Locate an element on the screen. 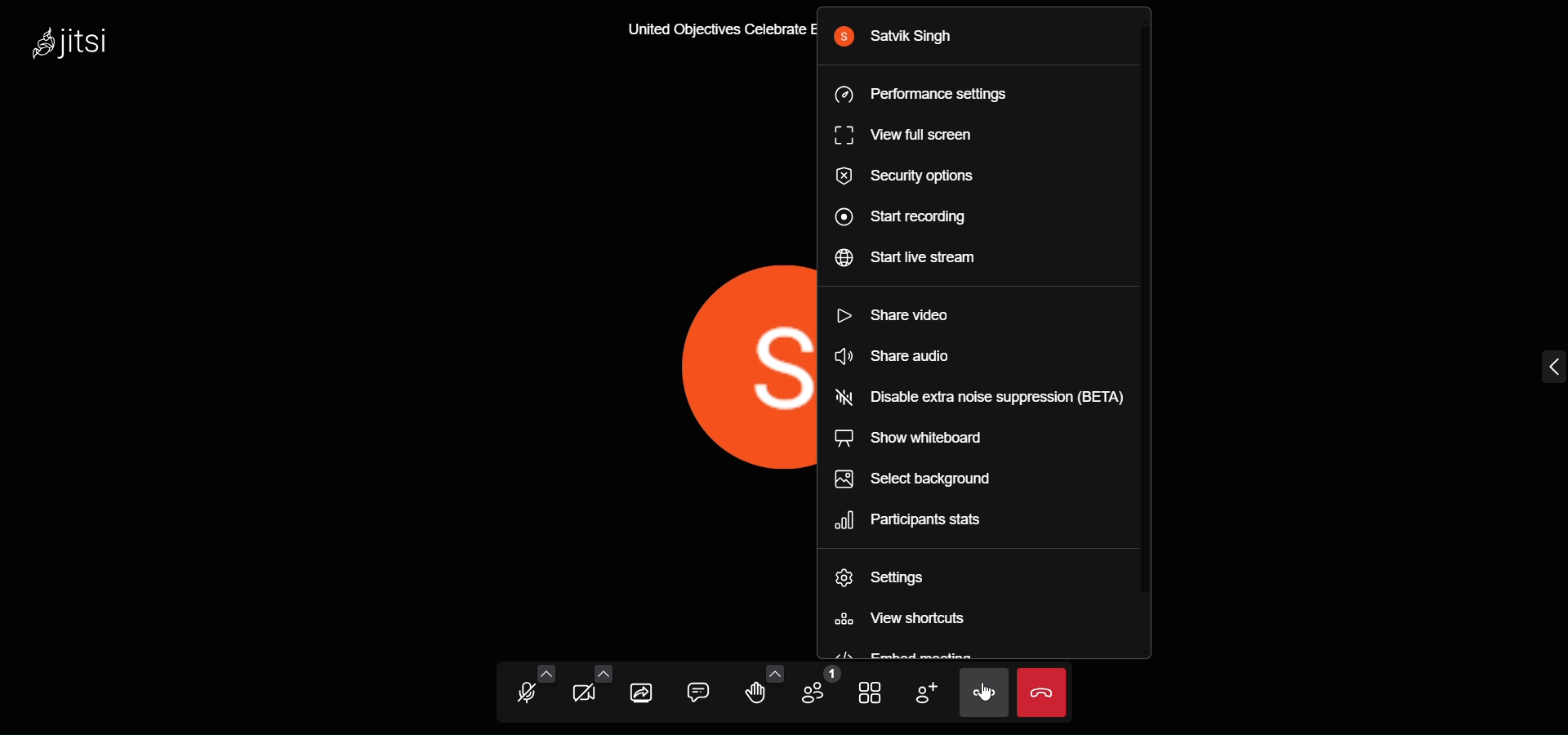 The image size is (1568, 735). select background is located at coordinates (935, 477).